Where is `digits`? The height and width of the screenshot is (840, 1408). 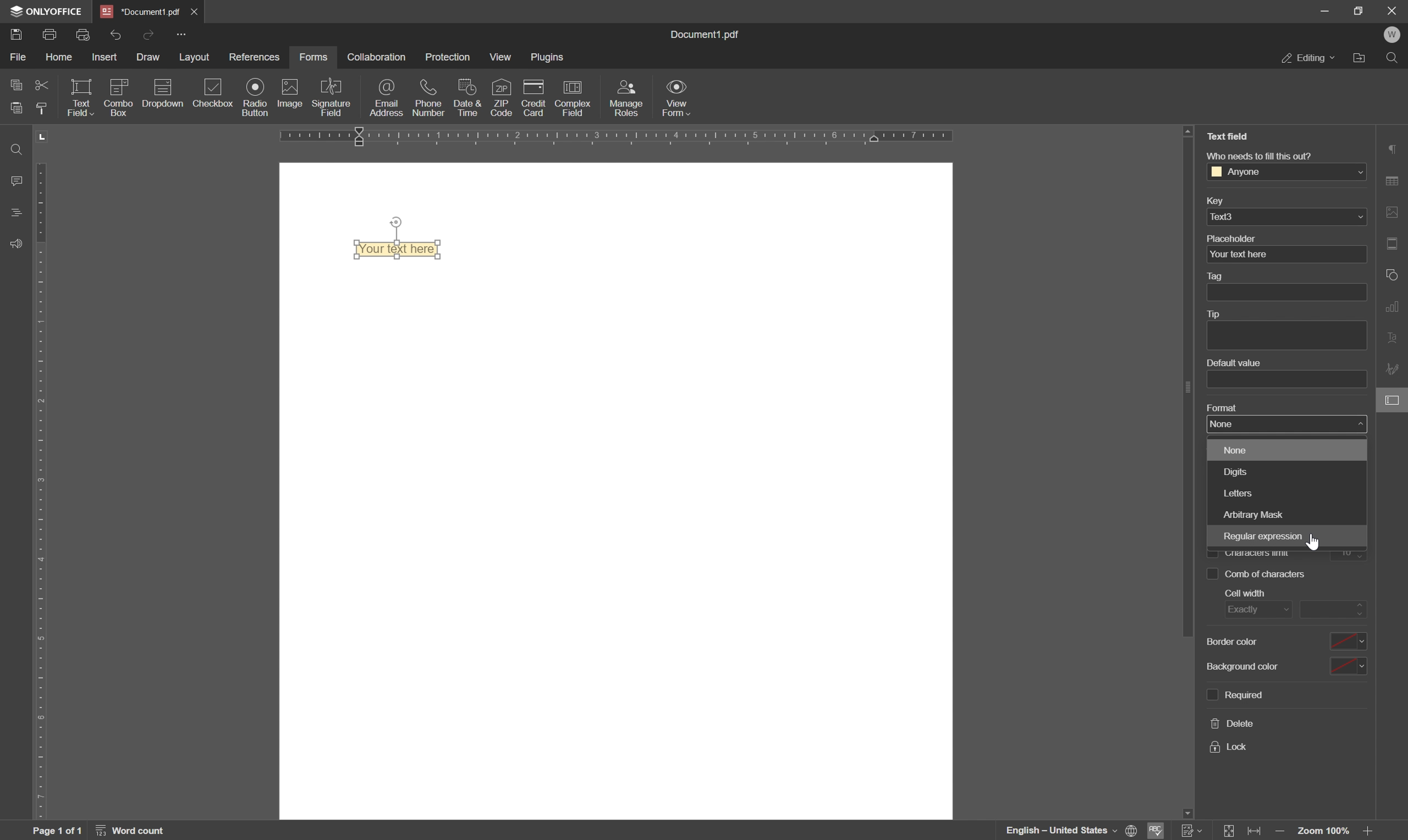
digits is located at coordinates (1231, 472).